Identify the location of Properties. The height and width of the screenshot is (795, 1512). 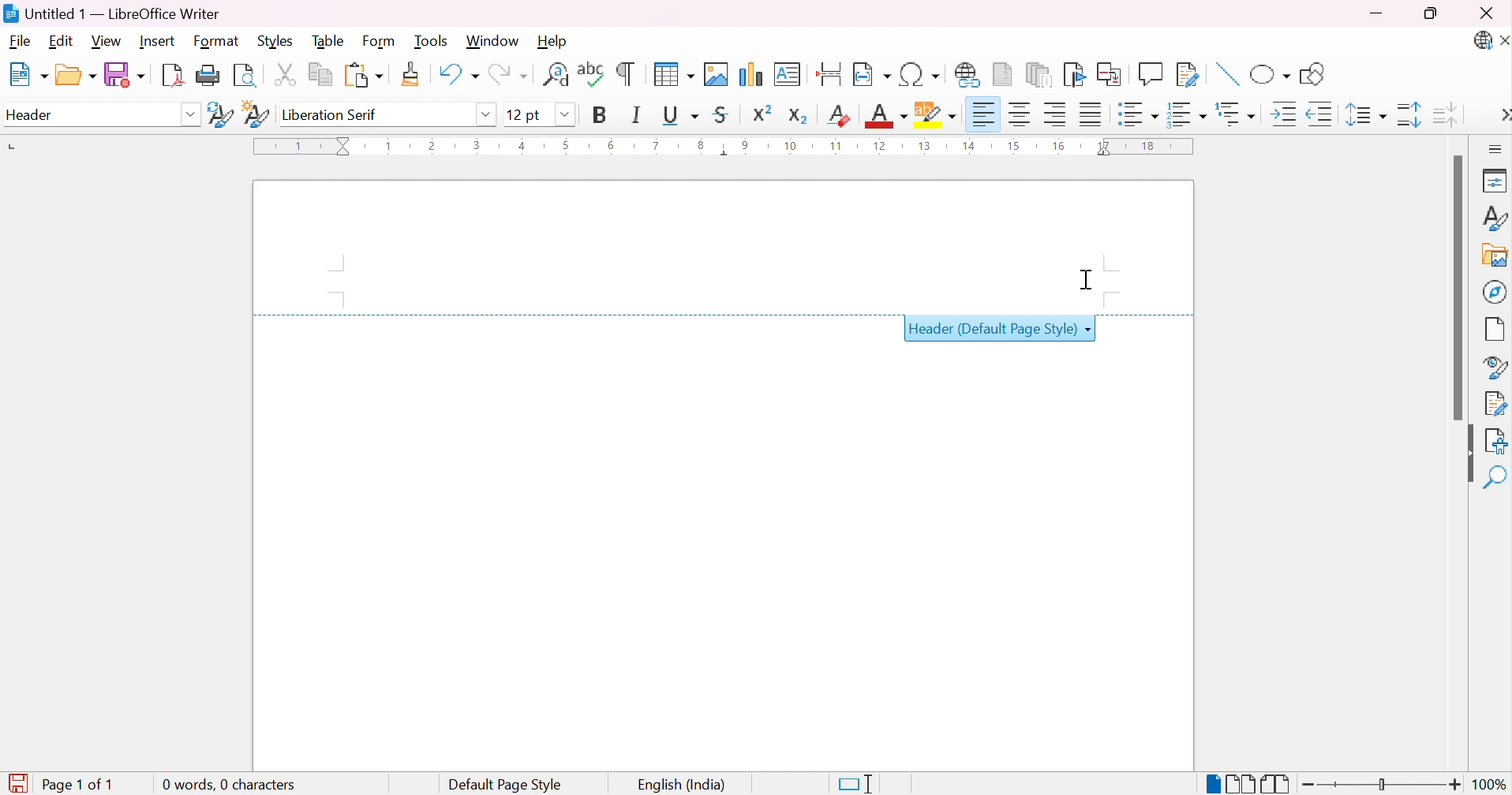
(1491, 181).